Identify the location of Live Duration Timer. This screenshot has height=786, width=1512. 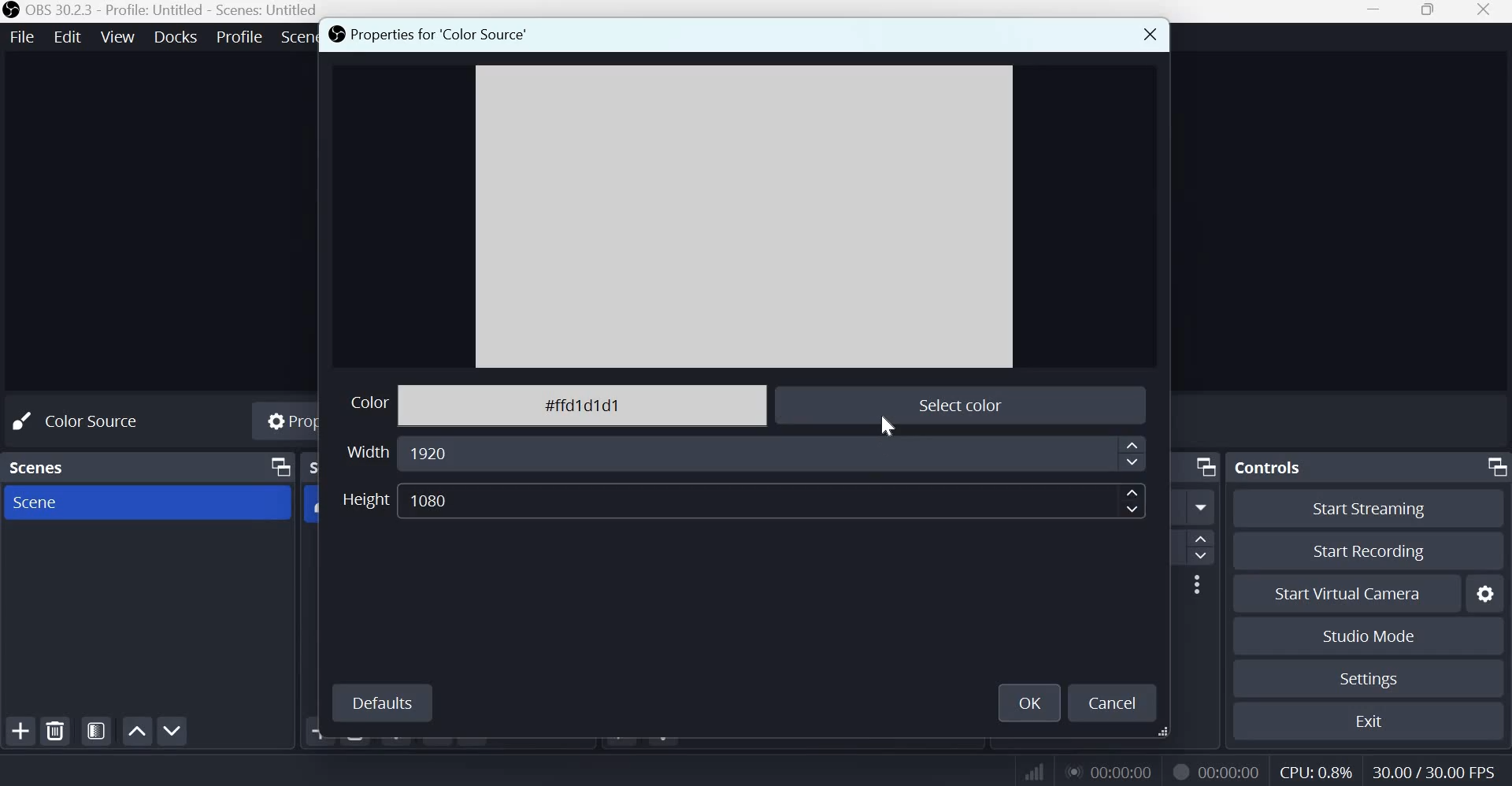
(1180, 770).